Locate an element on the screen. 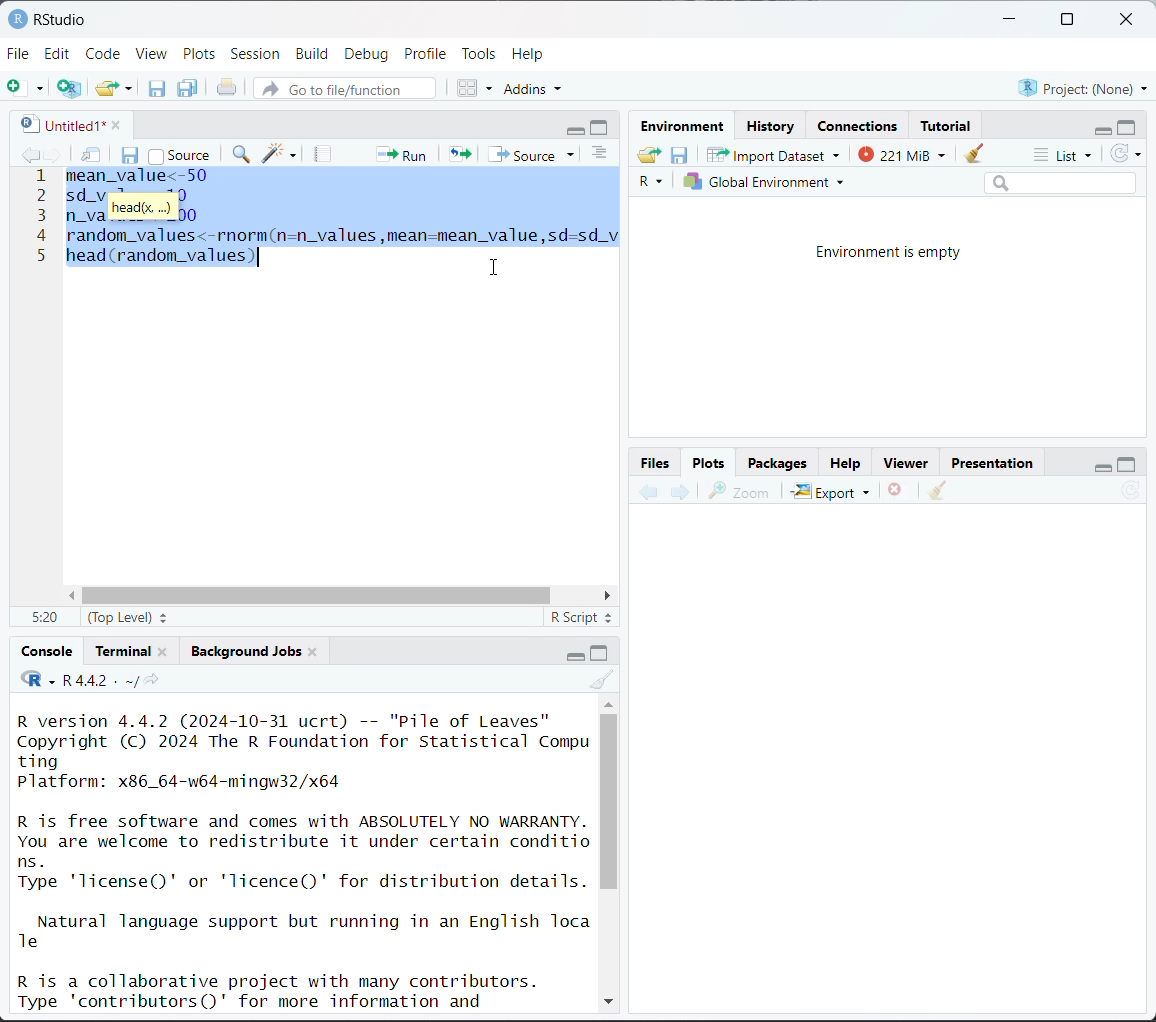 Image resolution: width=1156 pixels, height=1022 pixels. minimize is located at coordinates (576, 128).